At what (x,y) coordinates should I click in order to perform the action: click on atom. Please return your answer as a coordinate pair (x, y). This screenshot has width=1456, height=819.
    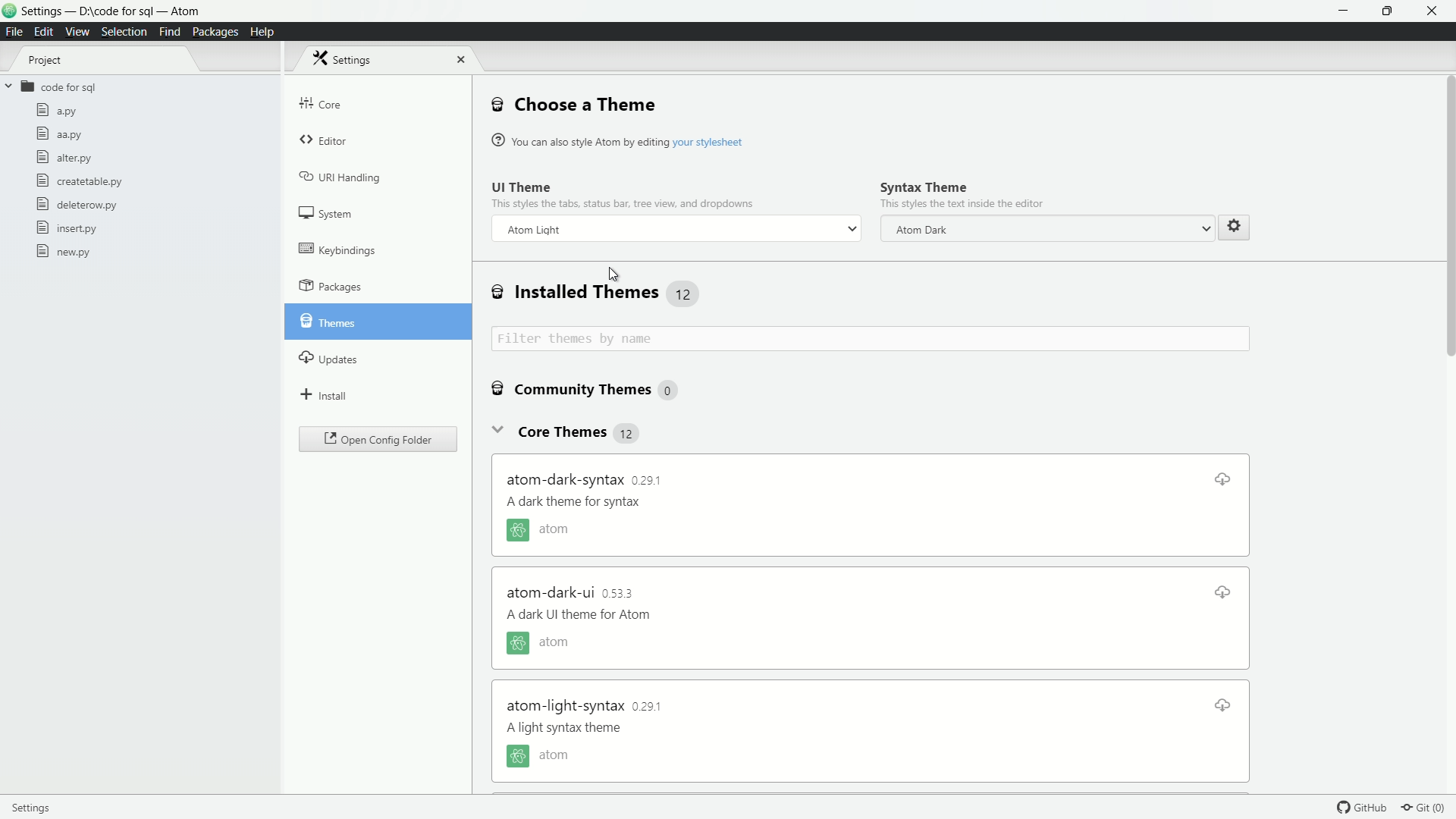
    Looking at the image, I should click on (554, 531).